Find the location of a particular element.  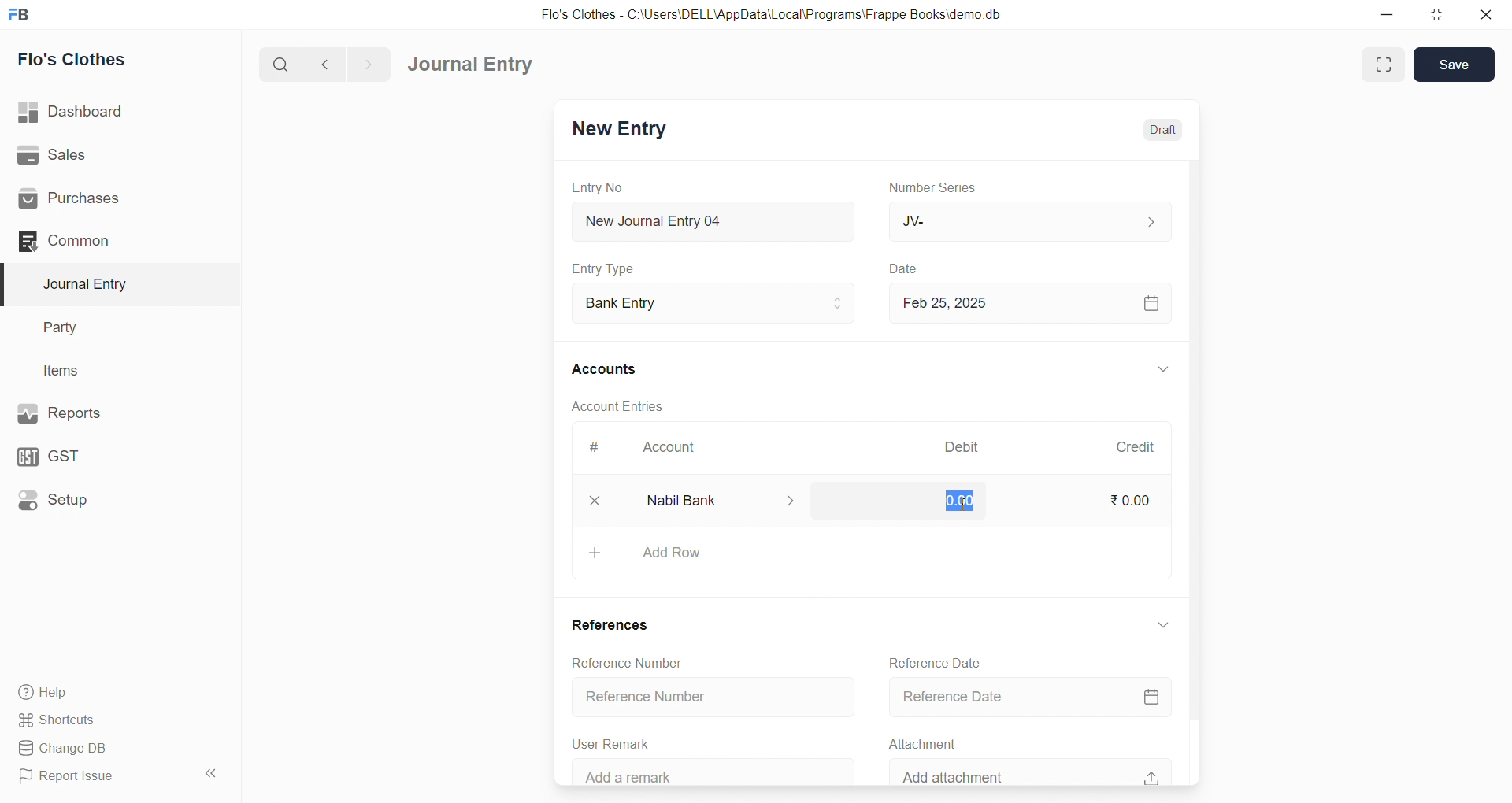

Bank Entry is located at coordinates (712, 304).